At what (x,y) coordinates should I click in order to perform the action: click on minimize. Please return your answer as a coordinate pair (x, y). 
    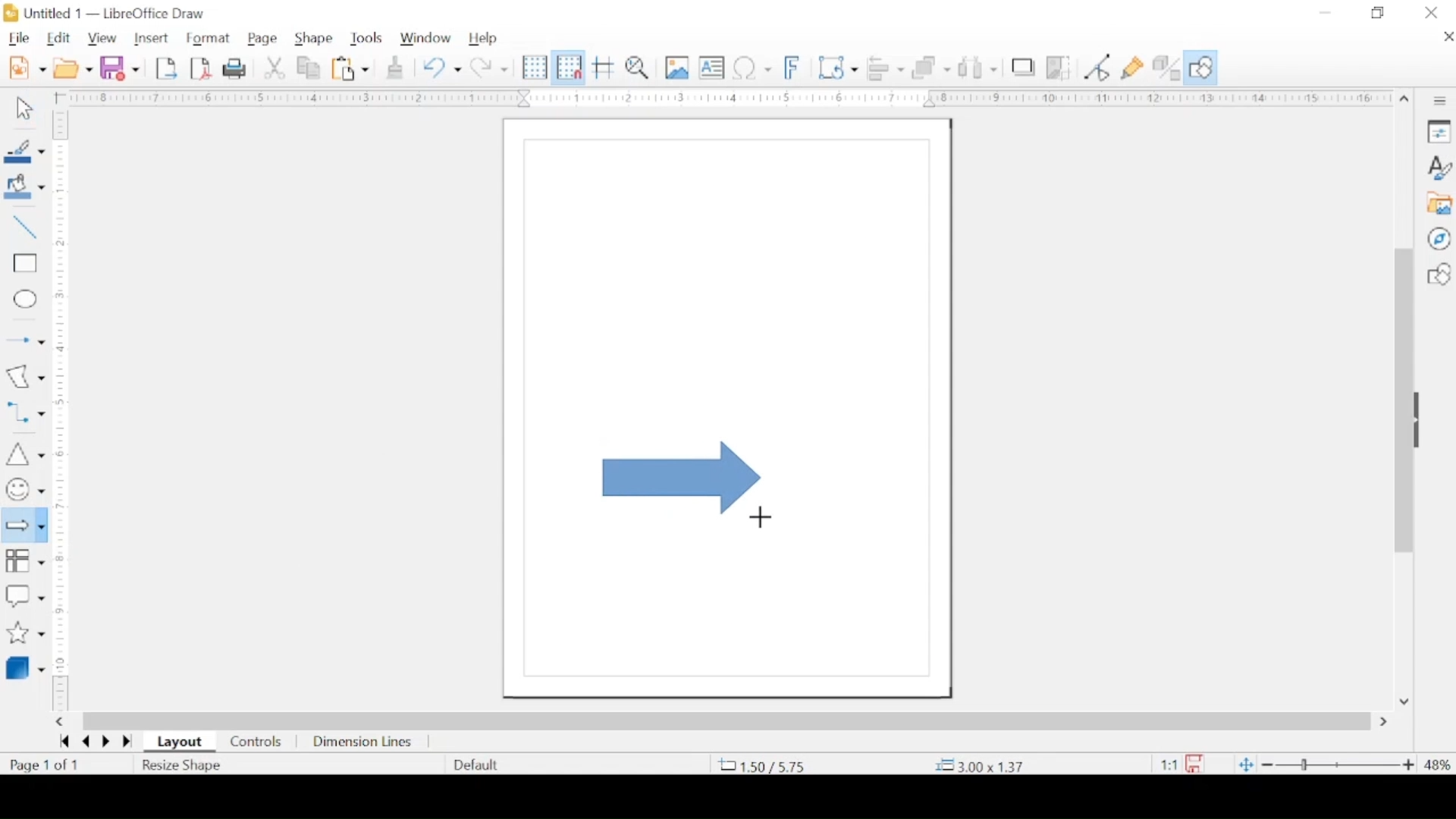
    Looking at the image, I should click on (1326, 13).